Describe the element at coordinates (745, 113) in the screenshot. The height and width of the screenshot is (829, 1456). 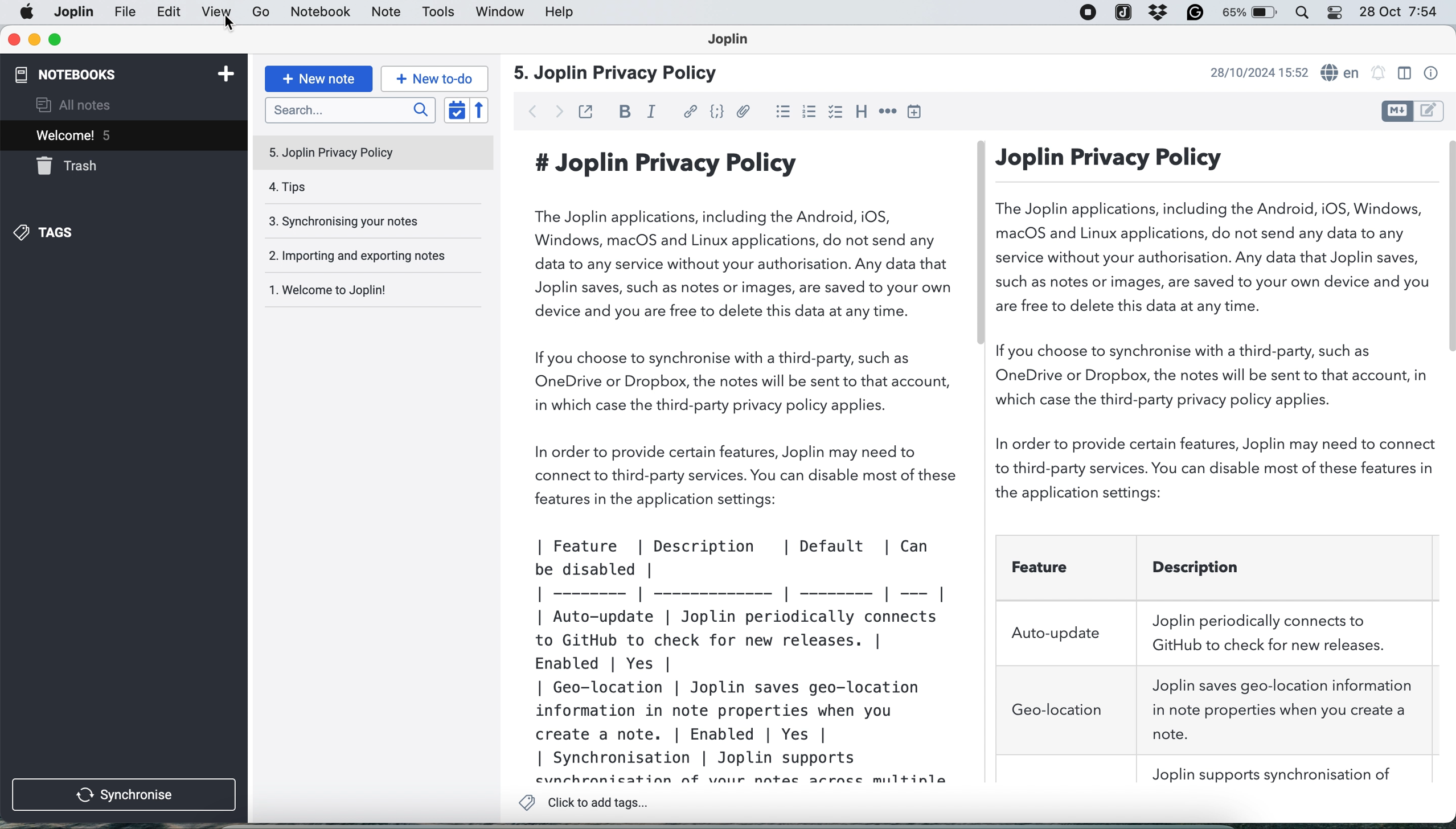
I see `attach file` at that location.